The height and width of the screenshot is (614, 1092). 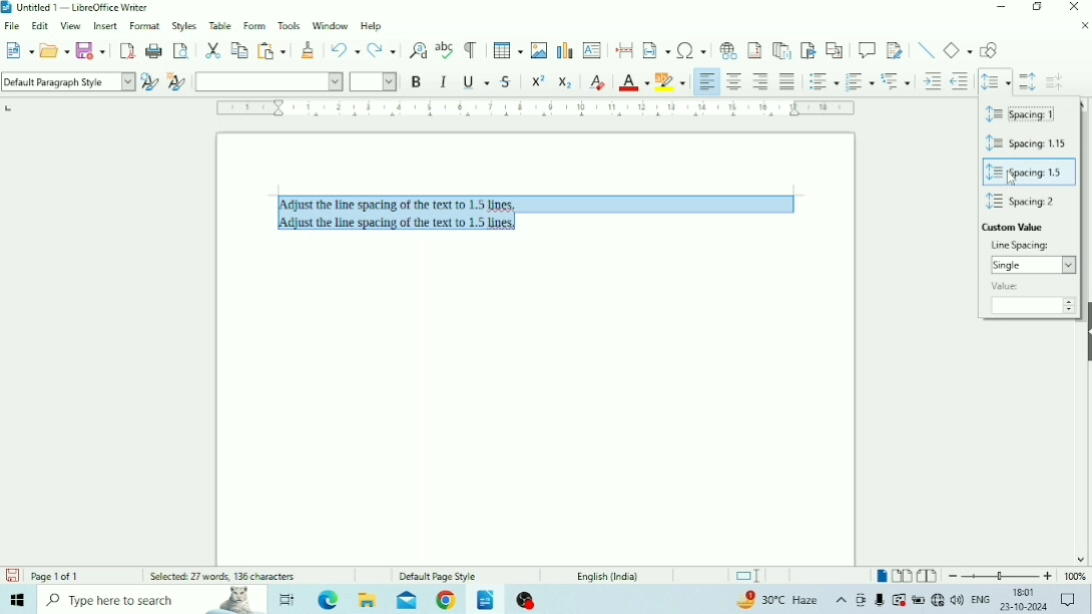 I want to click on Zoom Factor, so click(x=1077, y=576).